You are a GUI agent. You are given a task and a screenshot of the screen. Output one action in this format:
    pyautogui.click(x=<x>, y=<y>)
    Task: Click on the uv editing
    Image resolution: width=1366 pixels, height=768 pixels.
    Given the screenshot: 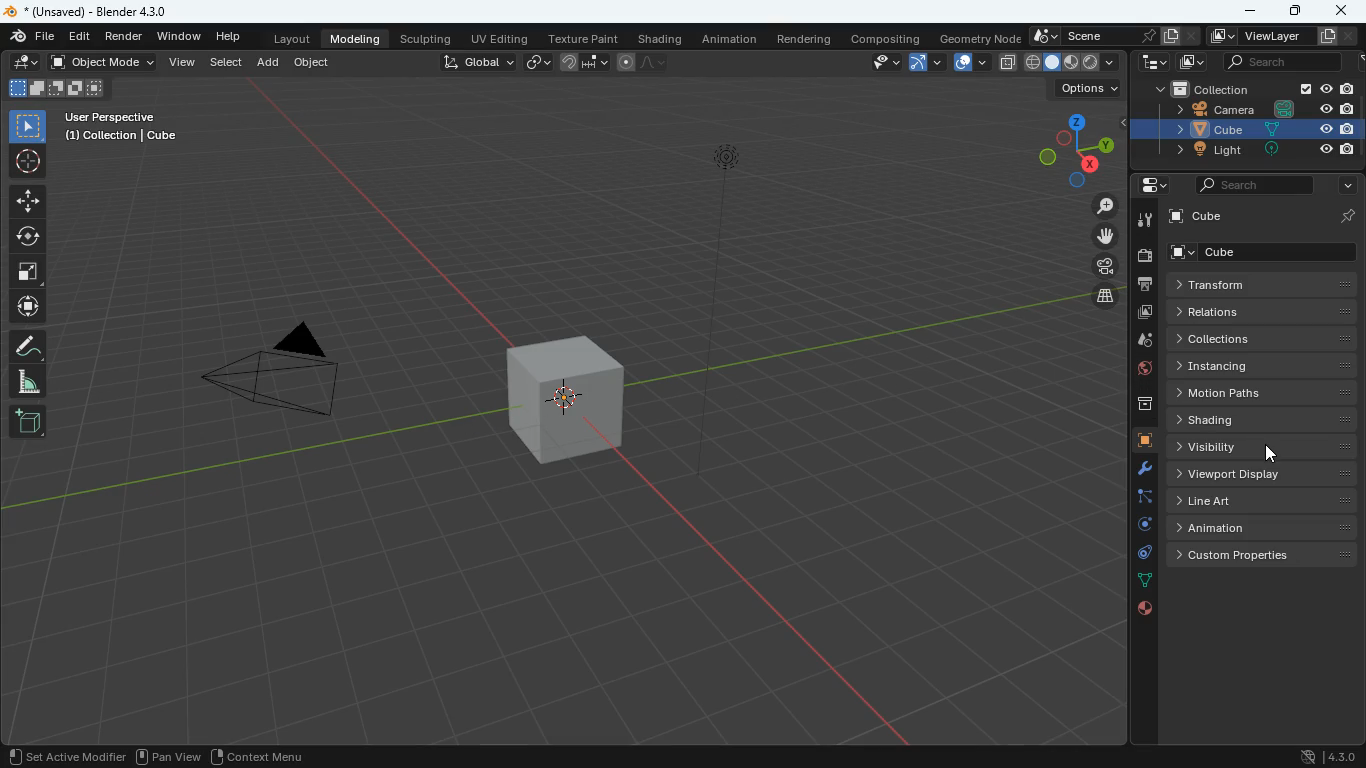 What is the action you would take?
    pyautogui.click(x=500, y=38)
    